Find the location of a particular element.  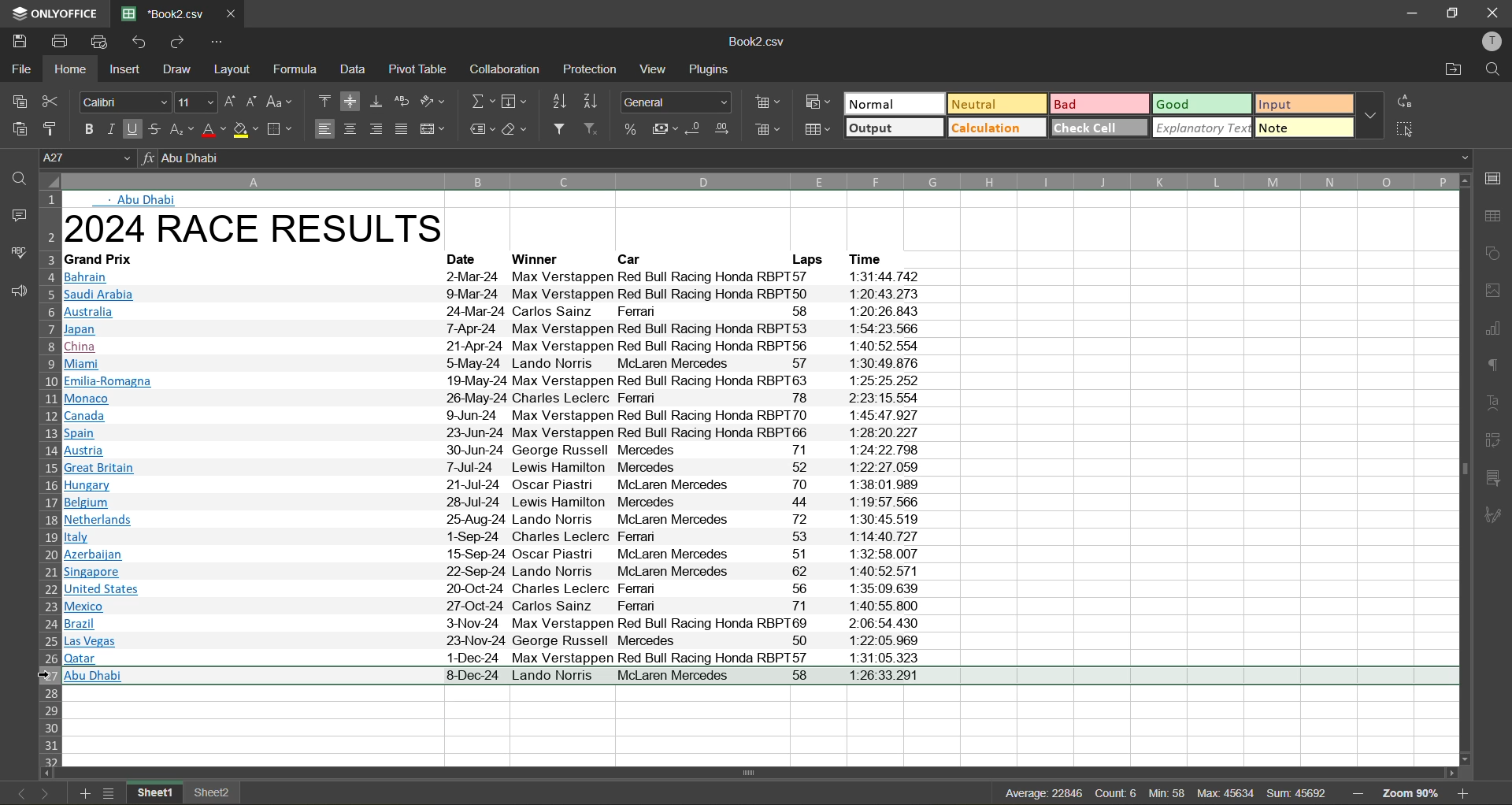

close tab is located at coordinates (228, 12).